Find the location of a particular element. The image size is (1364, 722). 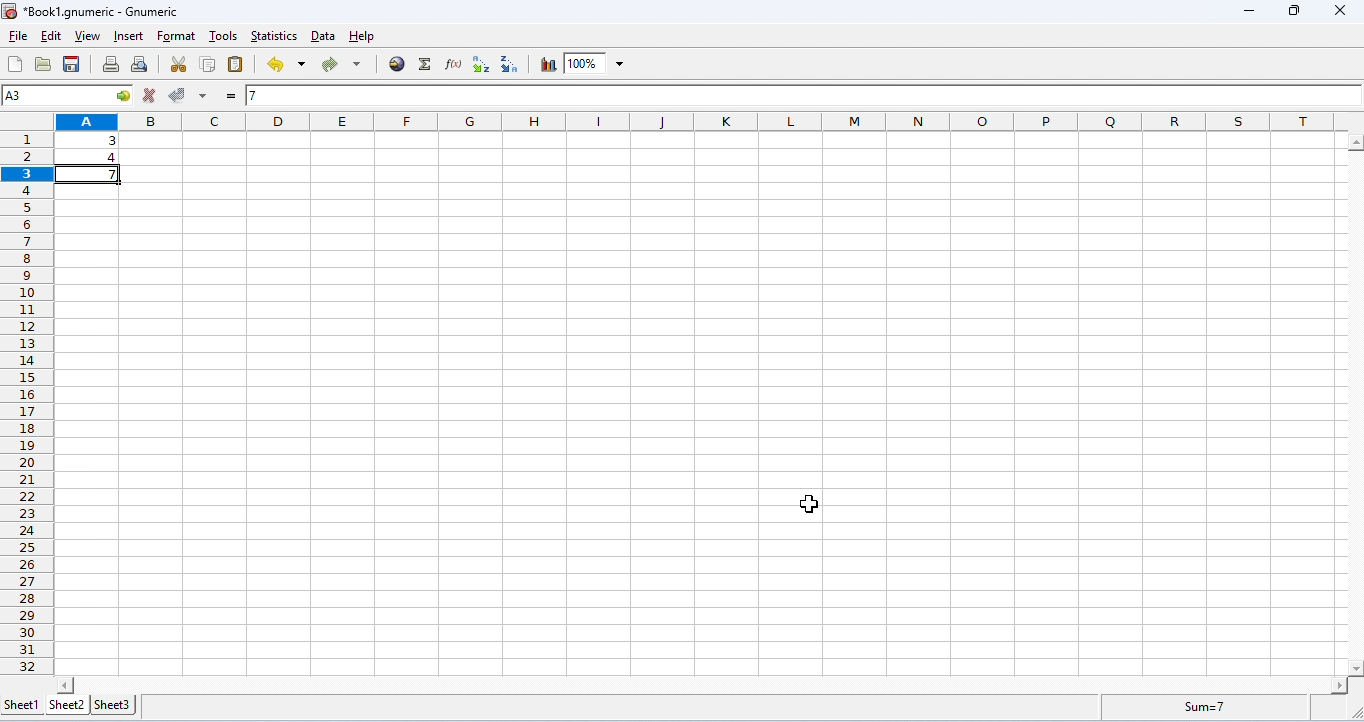

file is located at coordinates (19, 36).